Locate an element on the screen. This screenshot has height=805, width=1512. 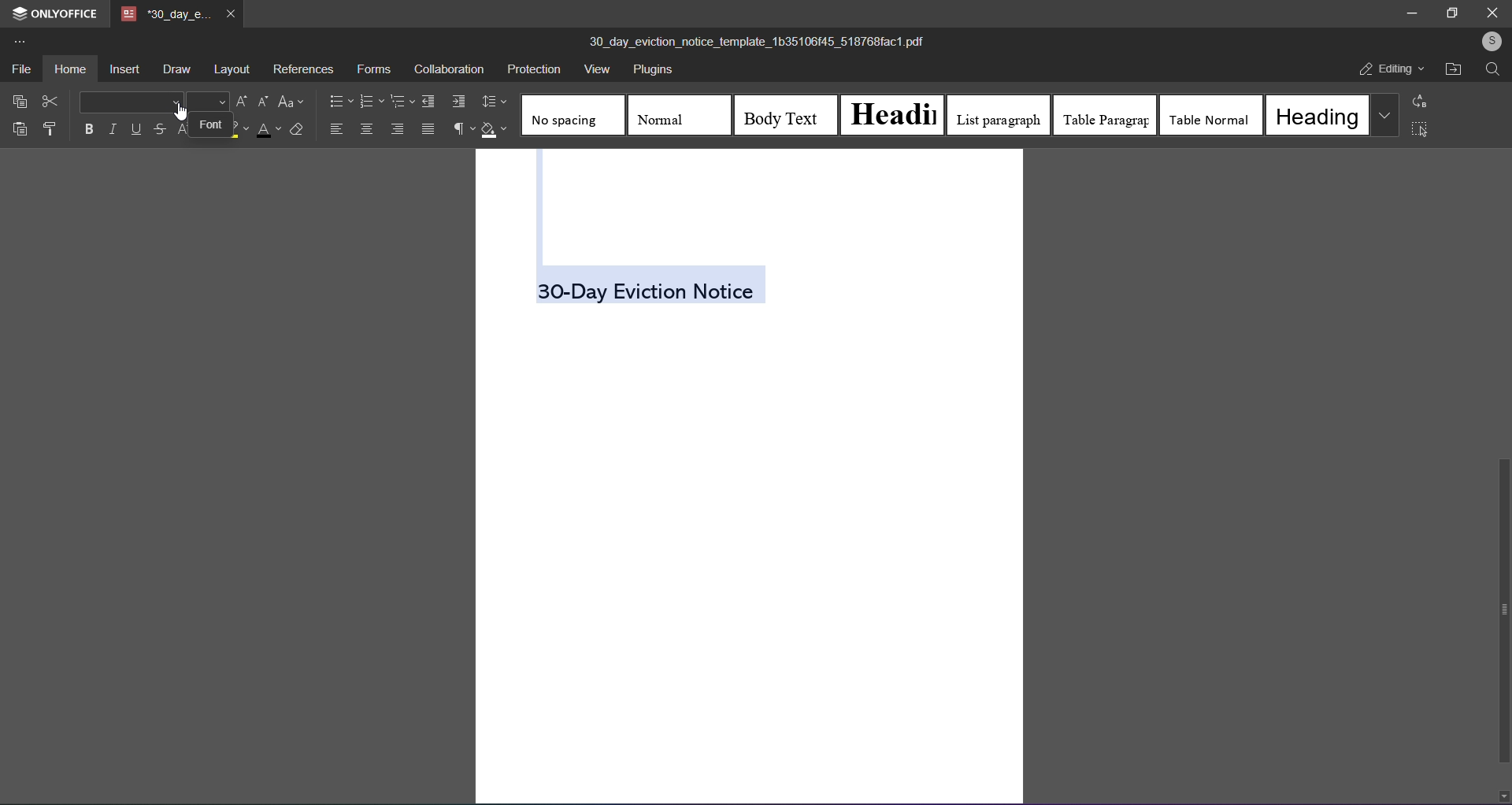
down is located at coordinates (1503, 794).